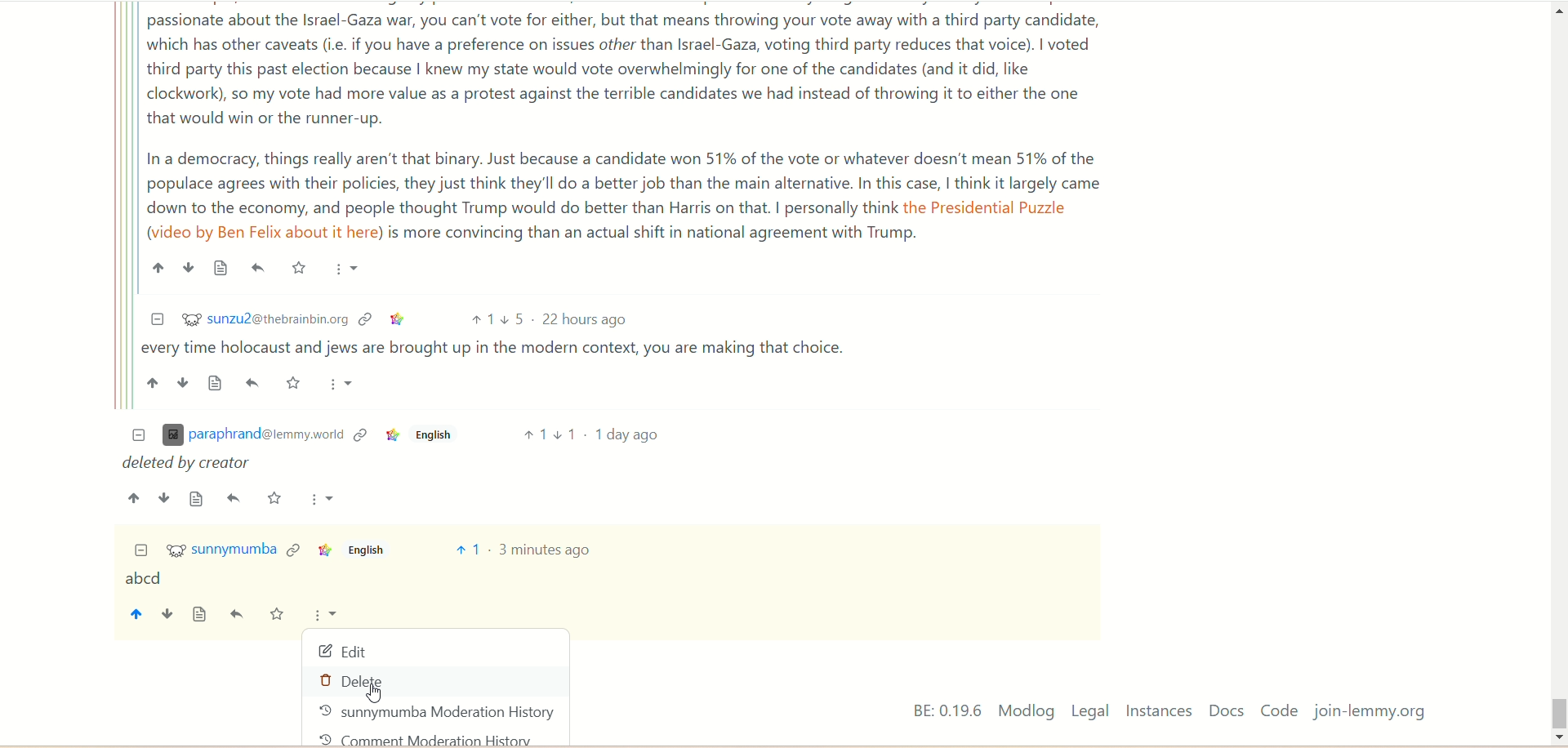 This screenshot has width=1568, height=748. Describe the element at coordinates (1279, 710) in the screenshot. I see `Code` at that location.